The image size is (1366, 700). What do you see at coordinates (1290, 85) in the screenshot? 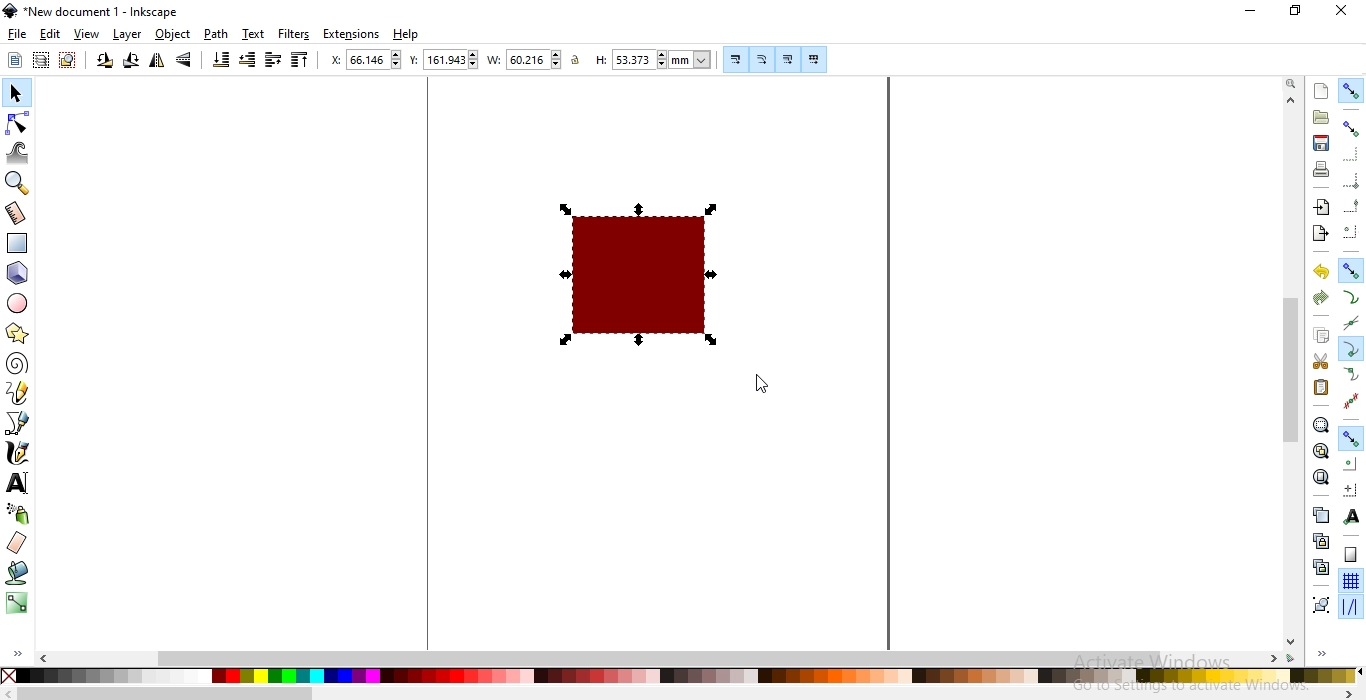
I see `zoom` at bounding box center [1290, 85].